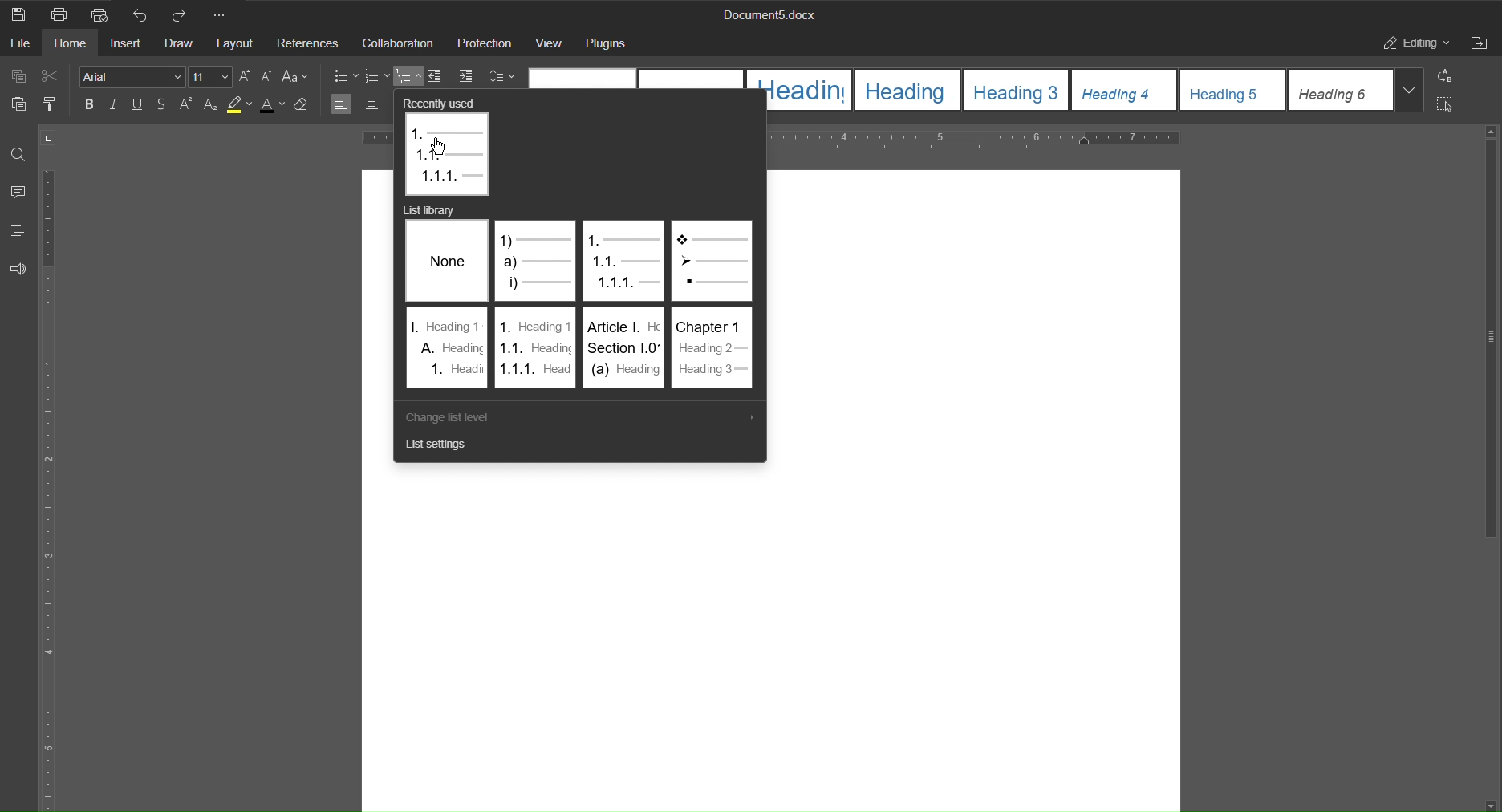 Image resolution: width=1502 pixels, height=812 pixels. I want to click on Draw, so click(181, 45).